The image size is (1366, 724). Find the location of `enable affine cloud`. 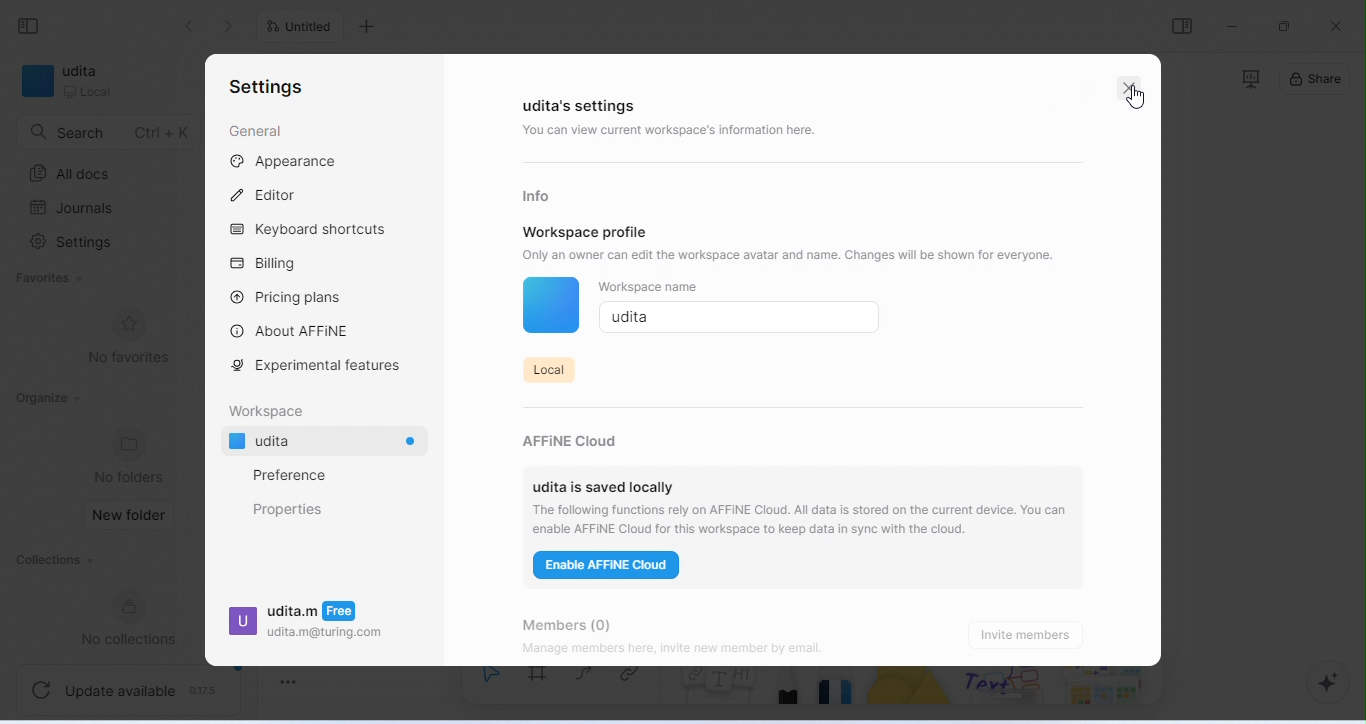

enable affine cloud is located at coordinates (609, 568).